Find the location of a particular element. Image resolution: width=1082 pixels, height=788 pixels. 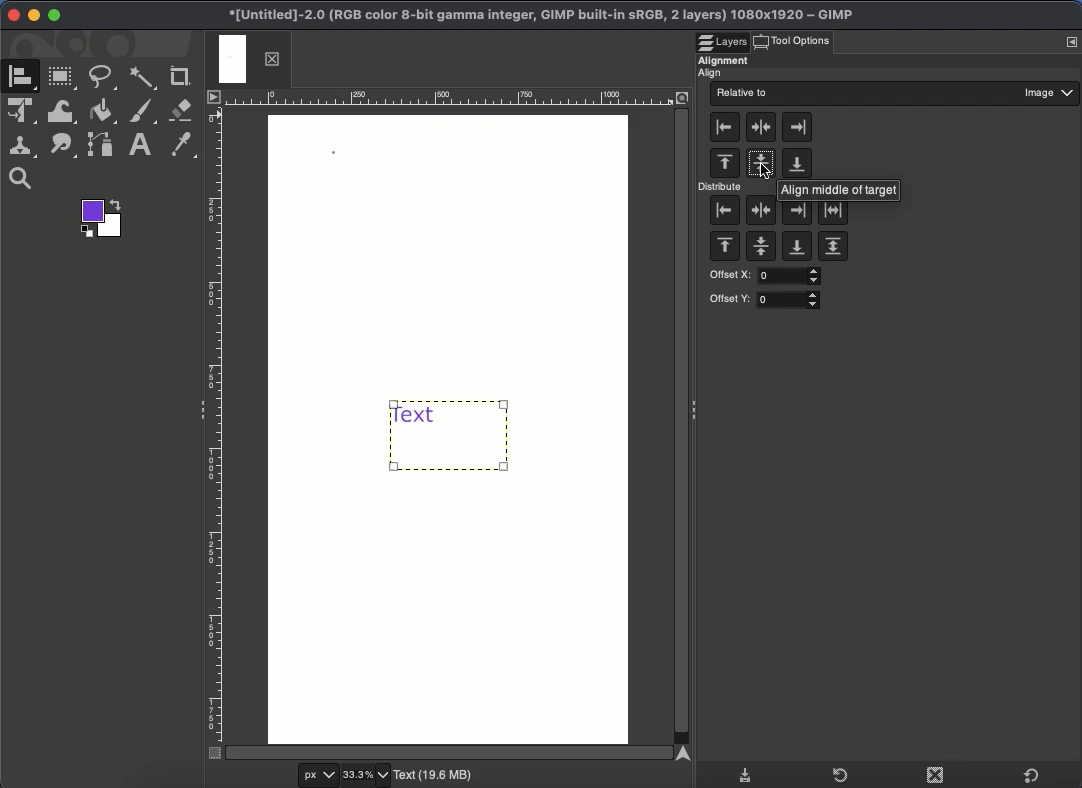

Align to the center - horizontally is located at coordinates (760, 164).